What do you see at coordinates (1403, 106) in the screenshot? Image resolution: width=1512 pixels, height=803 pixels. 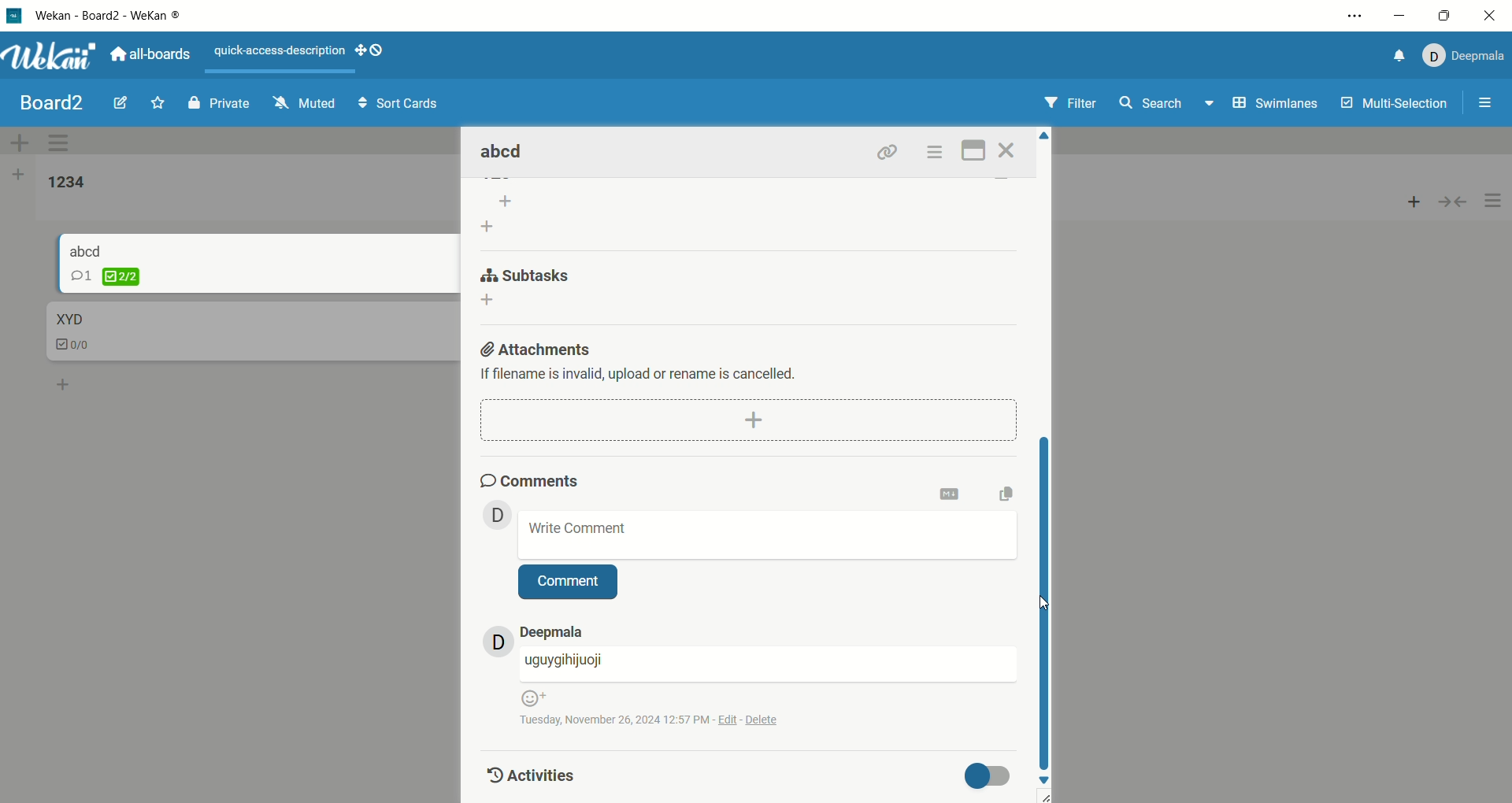 I see `multi-selection` at bounding box center [1403, 106].